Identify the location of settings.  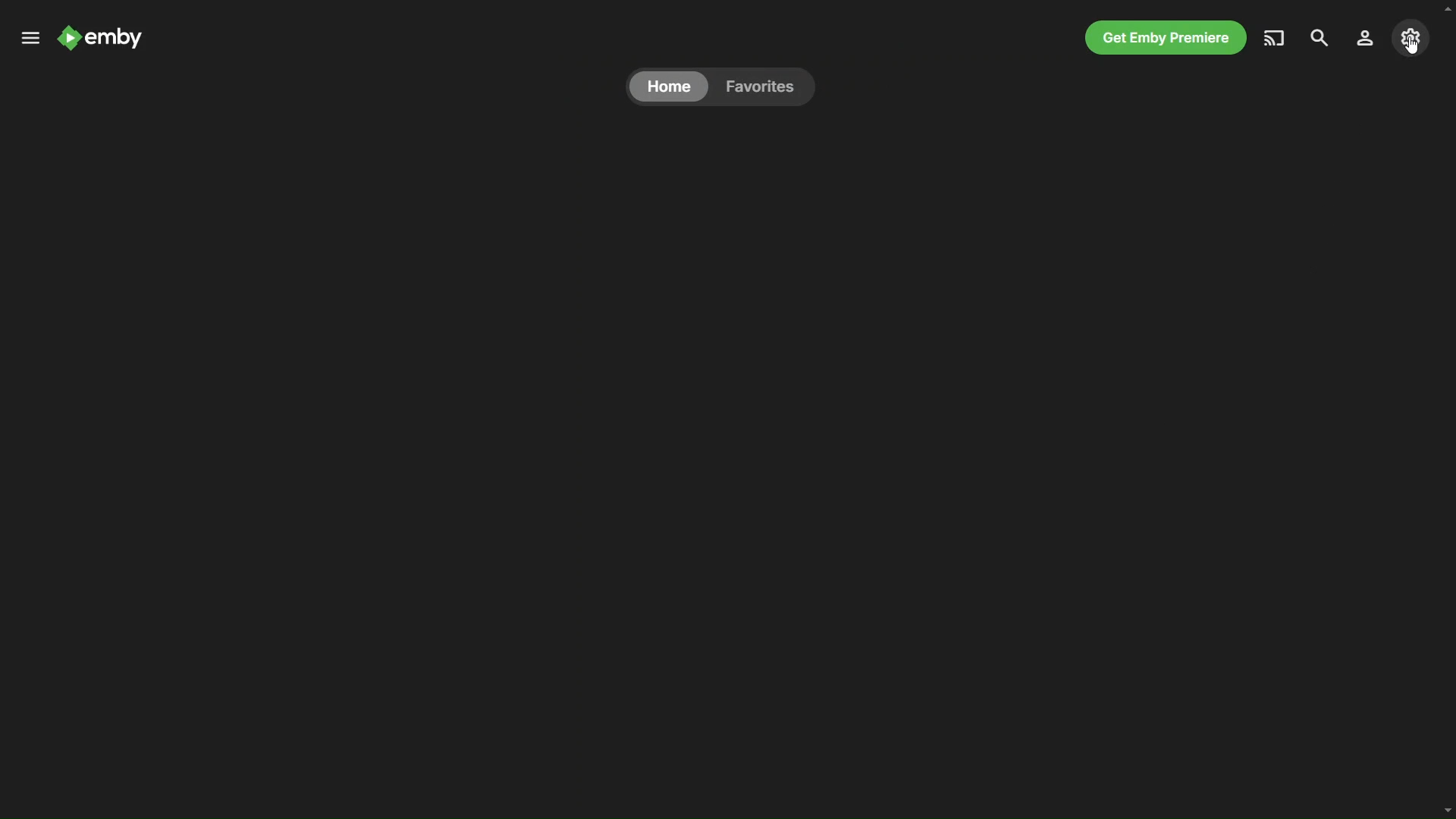
(1410, 35).